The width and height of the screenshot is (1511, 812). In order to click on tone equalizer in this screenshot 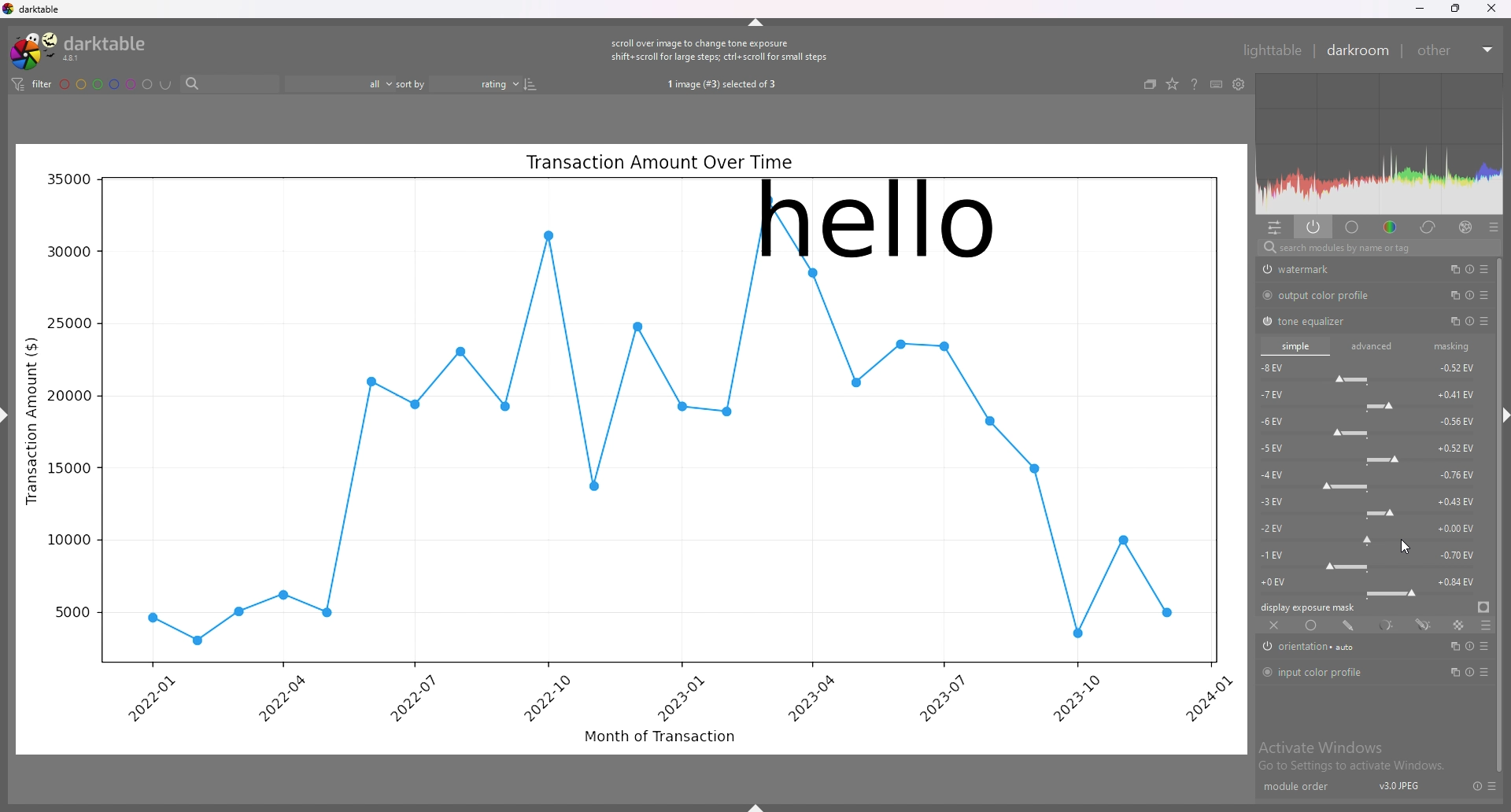, I will do `click(1315, 322)`.